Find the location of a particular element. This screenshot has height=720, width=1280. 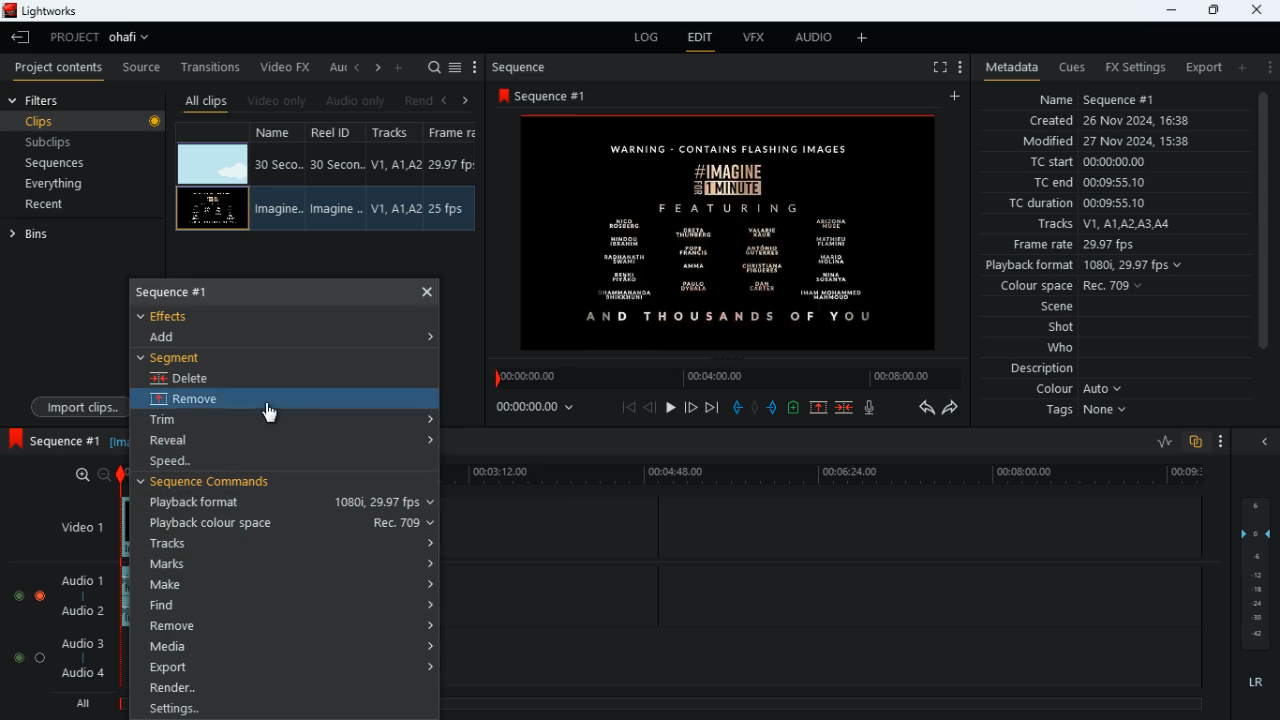

left is located at coordinates (447, 100).